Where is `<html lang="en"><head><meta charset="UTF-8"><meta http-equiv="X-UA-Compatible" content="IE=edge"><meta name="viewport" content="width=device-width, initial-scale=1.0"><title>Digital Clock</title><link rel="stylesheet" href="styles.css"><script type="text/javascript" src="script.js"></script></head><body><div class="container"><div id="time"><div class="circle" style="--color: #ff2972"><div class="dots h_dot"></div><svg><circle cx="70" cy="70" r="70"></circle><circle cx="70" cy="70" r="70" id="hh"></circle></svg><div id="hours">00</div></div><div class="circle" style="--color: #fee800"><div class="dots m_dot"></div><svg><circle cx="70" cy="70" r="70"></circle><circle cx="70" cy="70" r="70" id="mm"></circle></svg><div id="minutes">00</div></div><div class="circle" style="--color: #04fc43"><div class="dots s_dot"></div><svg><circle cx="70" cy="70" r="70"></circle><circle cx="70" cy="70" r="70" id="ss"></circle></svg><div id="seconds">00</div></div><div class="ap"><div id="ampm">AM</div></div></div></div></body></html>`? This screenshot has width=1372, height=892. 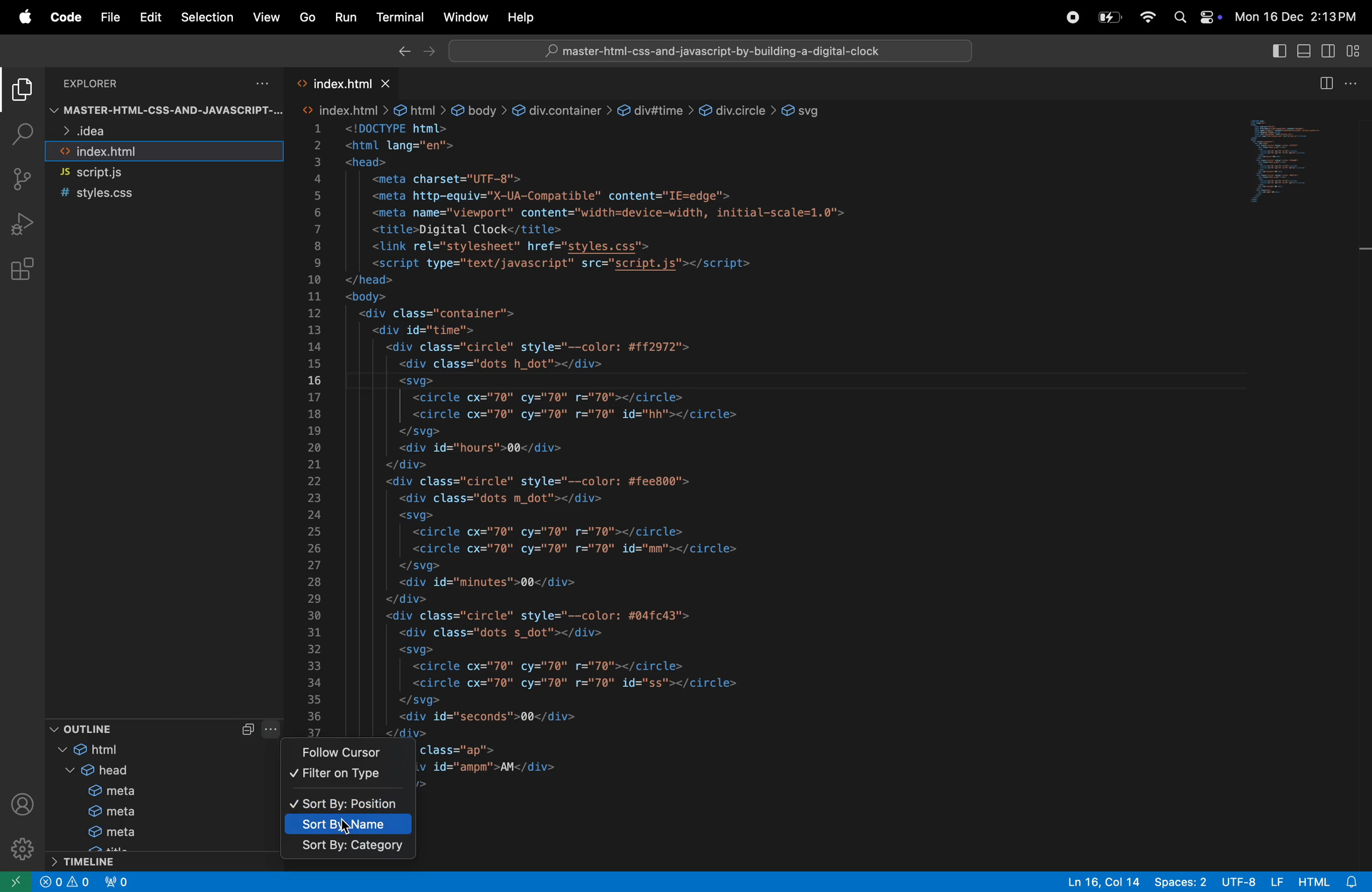
<html lang="en"><head><meta charset="UTF-8"><meta http-equiv="X-UA-Compatible" content="IE=edge"><meta name="viewport" content="width=device-width, initial-scale=1.0"><title>Digital Clock</title><link rel="stylesheet" href="styles.css"><script type="text/javascript" src="script.js"></script></head><body><div class="container"><div id="time"><div class="circle" style="--color: #ff2972"><div class="dots h_dot"></div><svg><circle cx="70" cy="70" r="70"></circle><circle cx="70" cy="70" r="70" id="hh"></circle></svg><div id="hours">00</div></div><div class="circle" style="--color: #fee800"><div class="dots m_dot"></div><svg><circle cx="70" cy="70" r="70"></circle><circle cx="70" cy="70" r="70" id="mm"></circle></svg><div id="minutes">00</div></div><div class="circle" style="--color: #04fc43"><div class="dots s_dot"></div><svg><circle cx="70" cy="70" r="70"></circle><circle cx="70" cy="70" r="70" id="ss"></circle></svg><div id="seconds">00</div></div><div class="ap"><div id="ampm">AM</div></div></div></div></body></html> is located at coordinates (595, 428).